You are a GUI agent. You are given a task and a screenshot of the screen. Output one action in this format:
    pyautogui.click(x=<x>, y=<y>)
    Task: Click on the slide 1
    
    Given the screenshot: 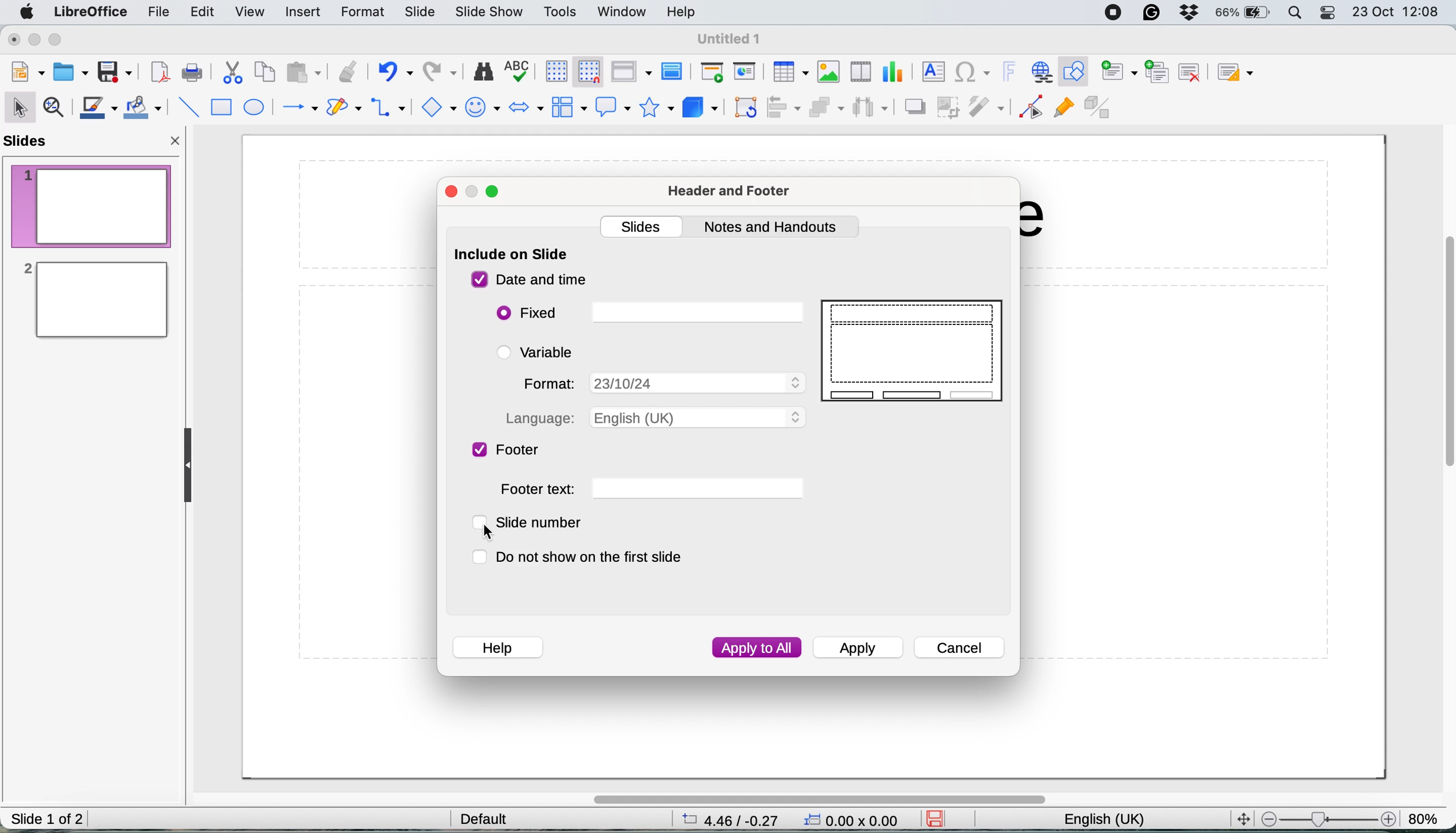 What is the action you would take?
    pyautogui.click(x=92, y=205)
    